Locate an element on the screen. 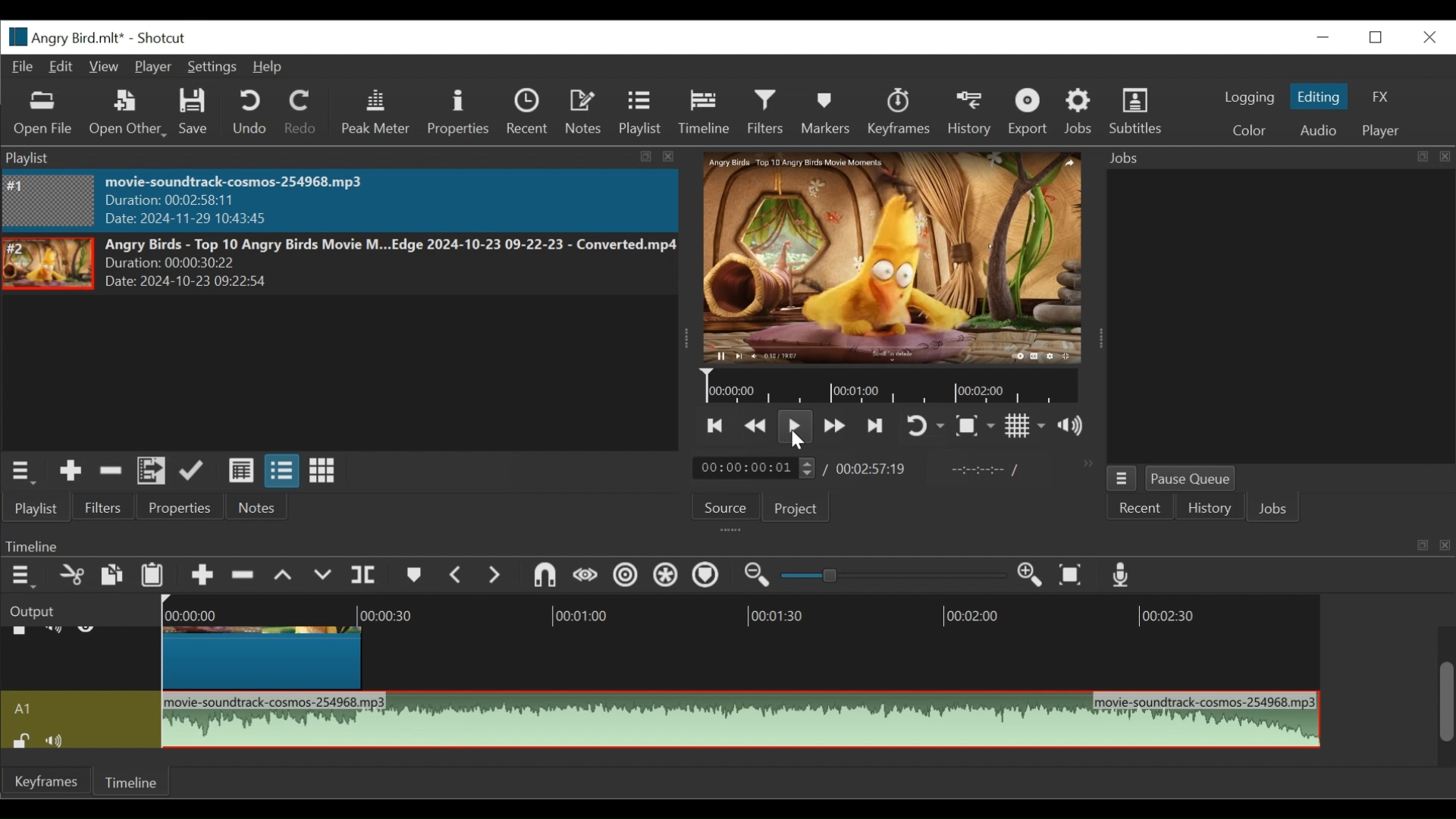  Zoom in  is located at coordinates (1035, 576).